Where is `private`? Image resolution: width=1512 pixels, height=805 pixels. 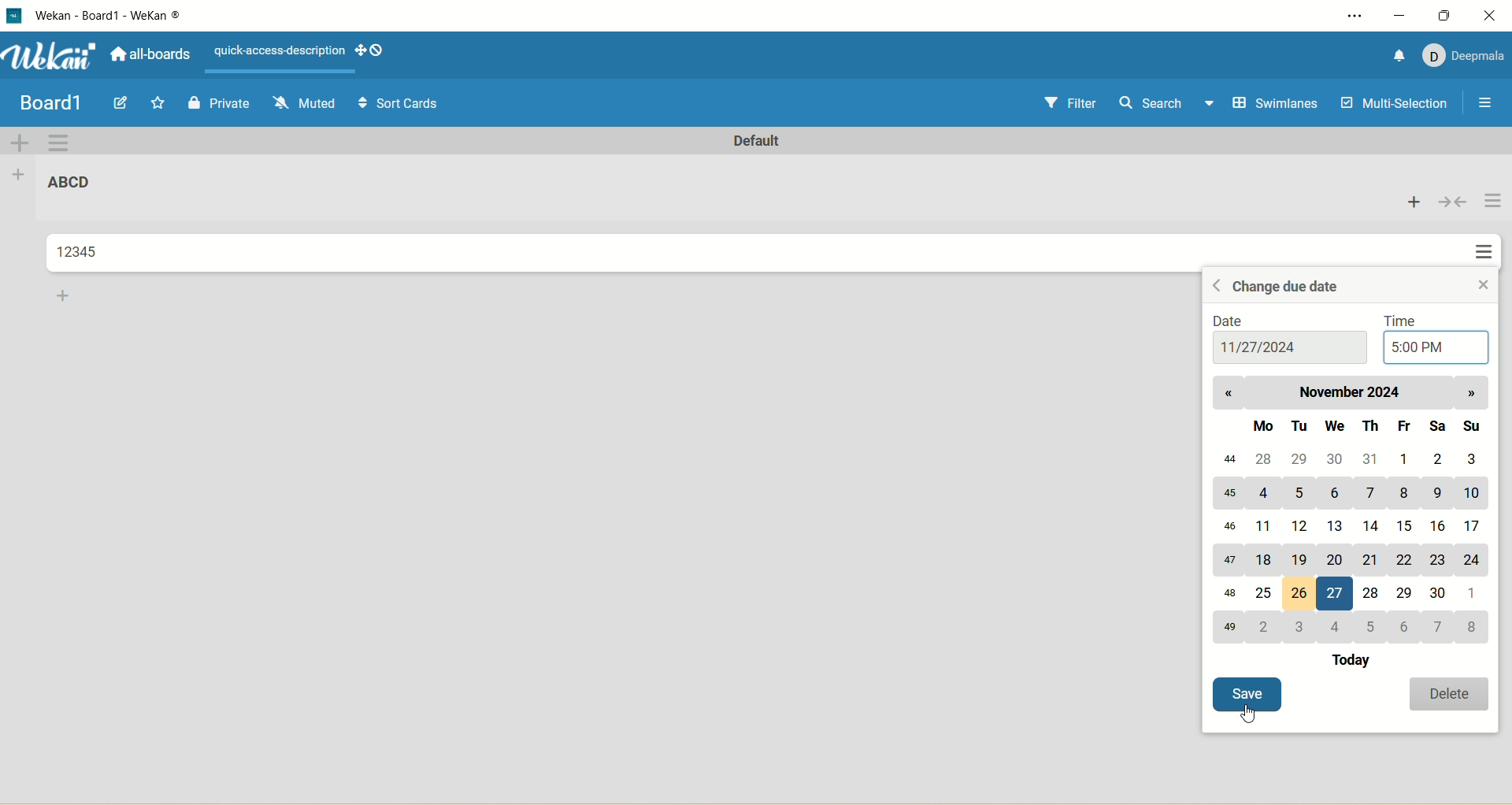
private is located at coordinates (217, 106).